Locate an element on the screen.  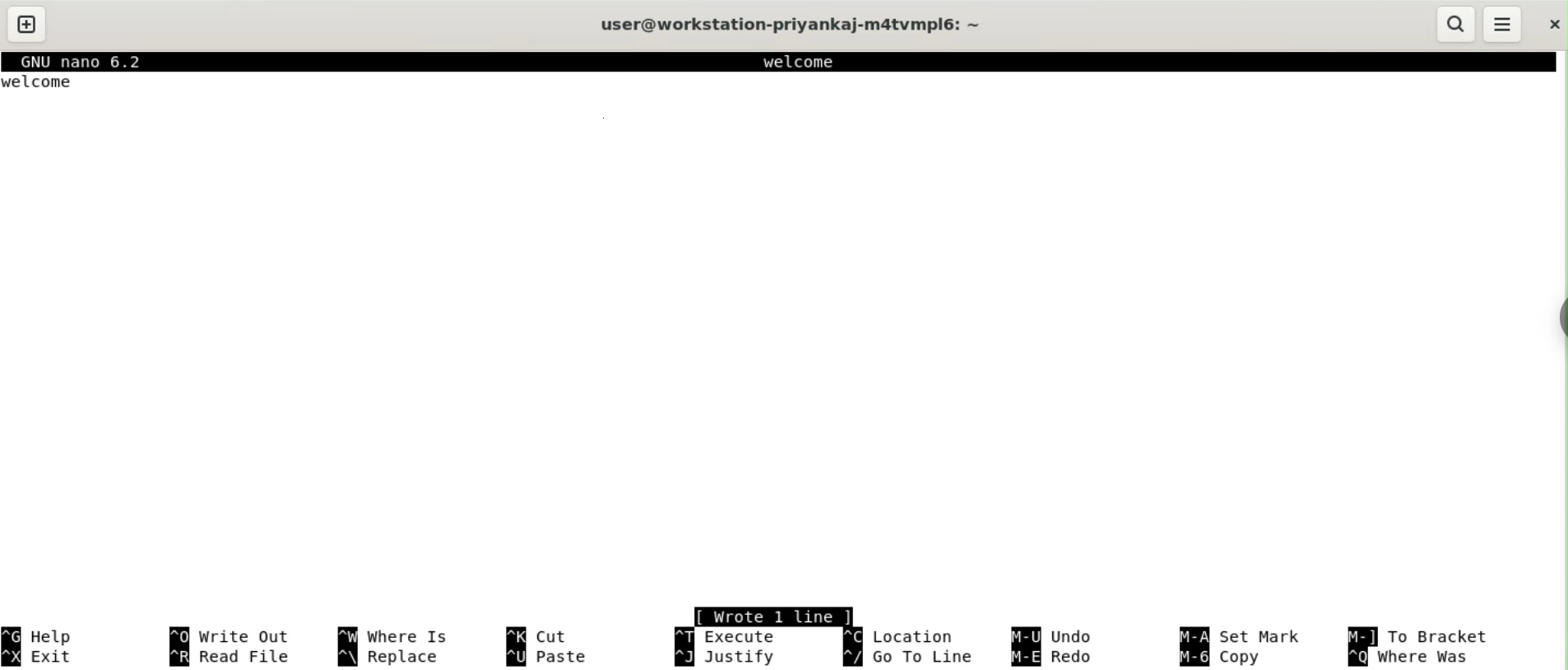
cut is located at coordinates (544, 635).